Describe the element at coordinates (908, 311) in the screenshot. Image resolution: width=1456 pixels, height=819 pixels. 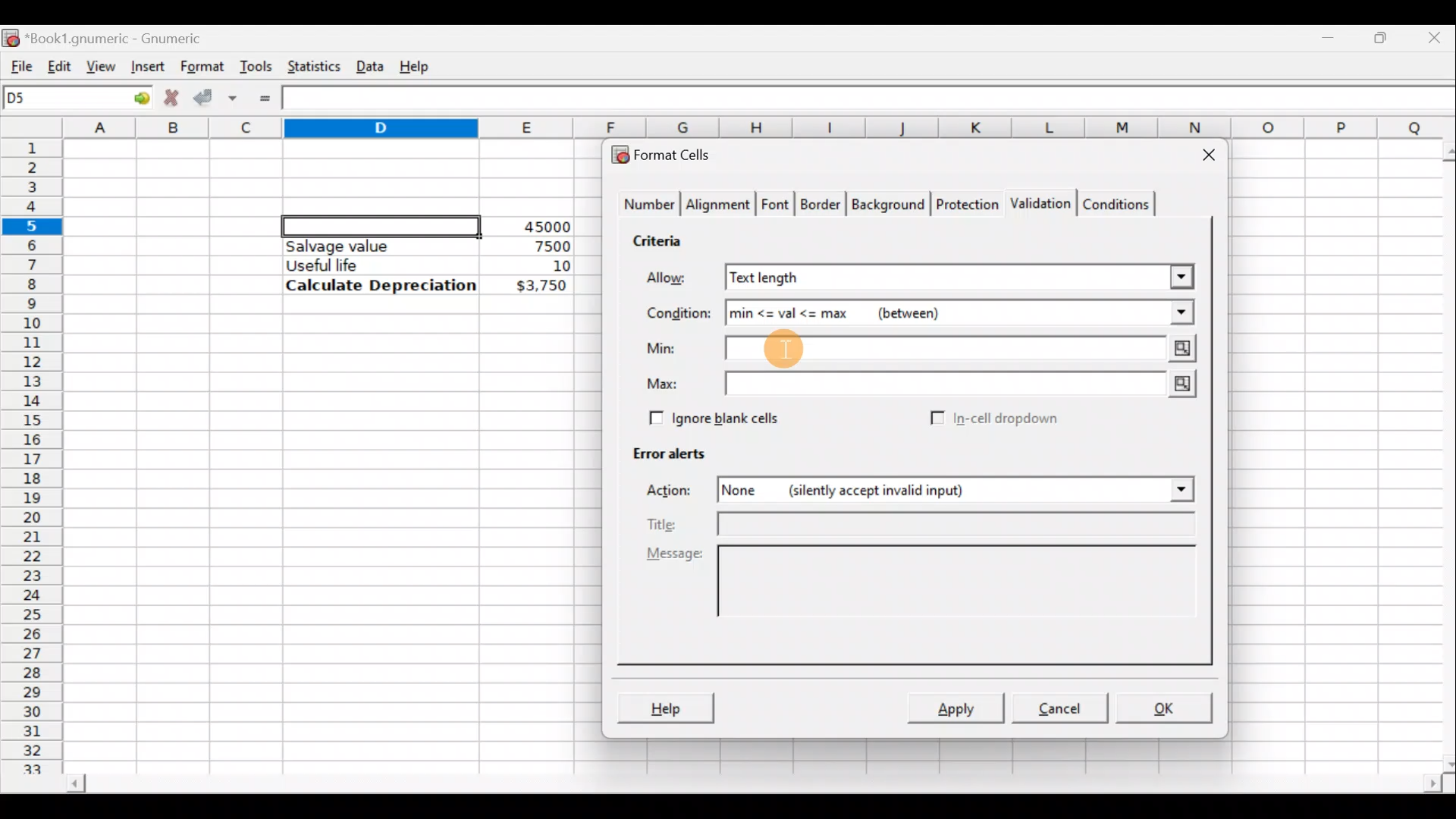
I see `min<=val<=max (between)` at that location.